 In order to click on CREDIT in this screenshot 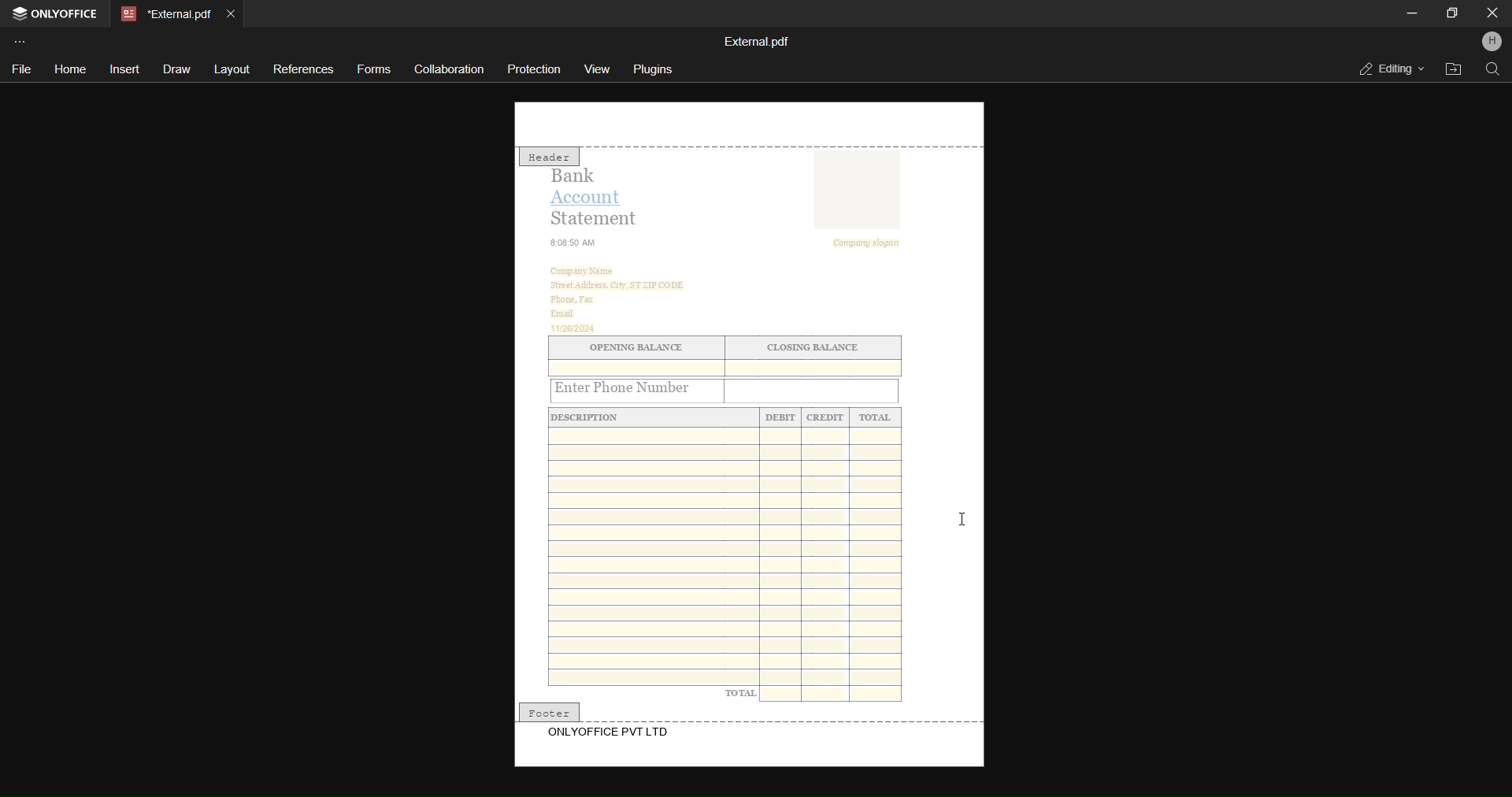, I will do `click(825, 418)`.